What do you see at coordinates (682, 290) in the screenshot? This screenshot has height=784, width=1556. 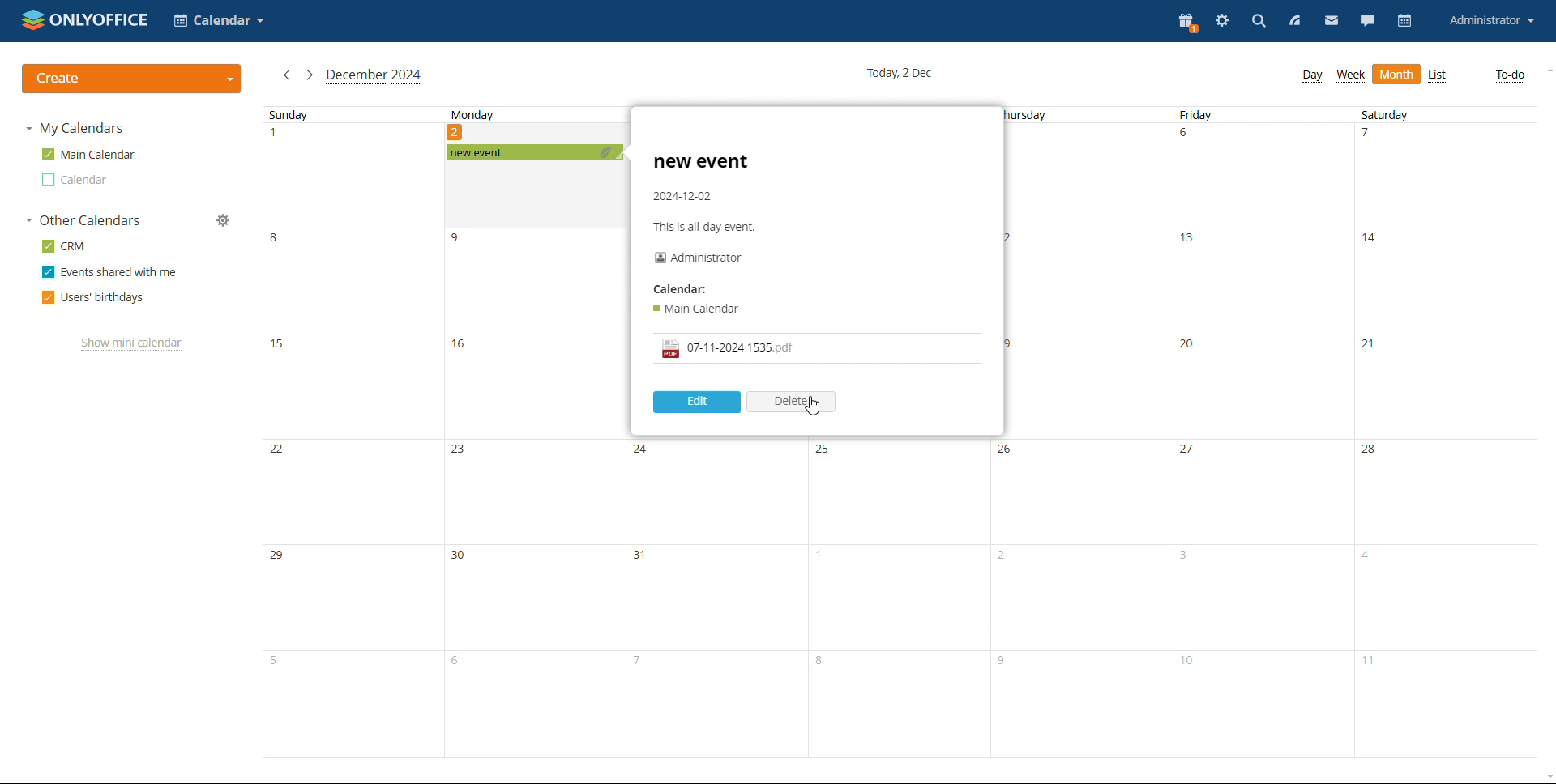 I see `Calendar:` at bounding box center [682, 290].